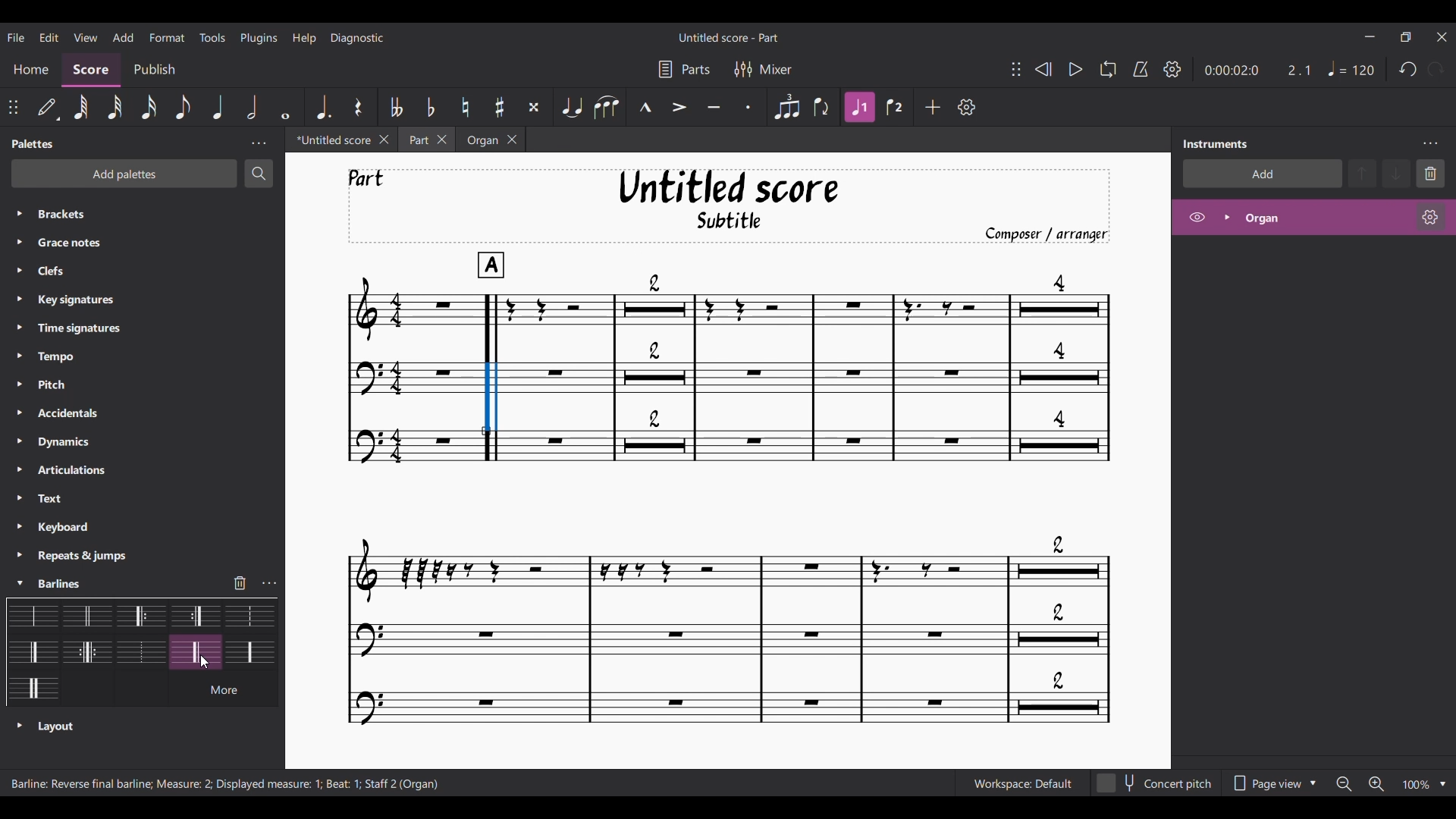 The height and width of the screenshot is (819, 1456). What do you see at coordinates (213, 37) in the screenshot?
I see `Tools menu` at bounding box center [213, 37].